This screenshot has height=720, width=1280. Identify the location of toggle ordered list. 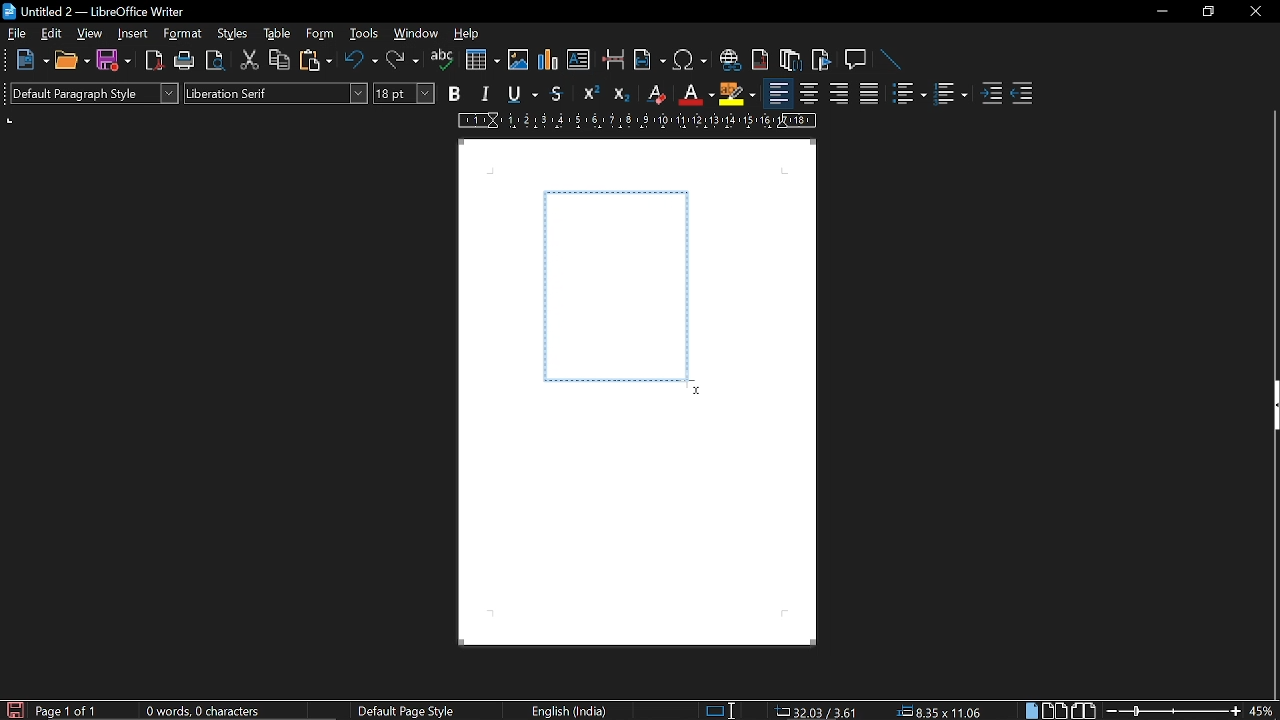
(950, 95).